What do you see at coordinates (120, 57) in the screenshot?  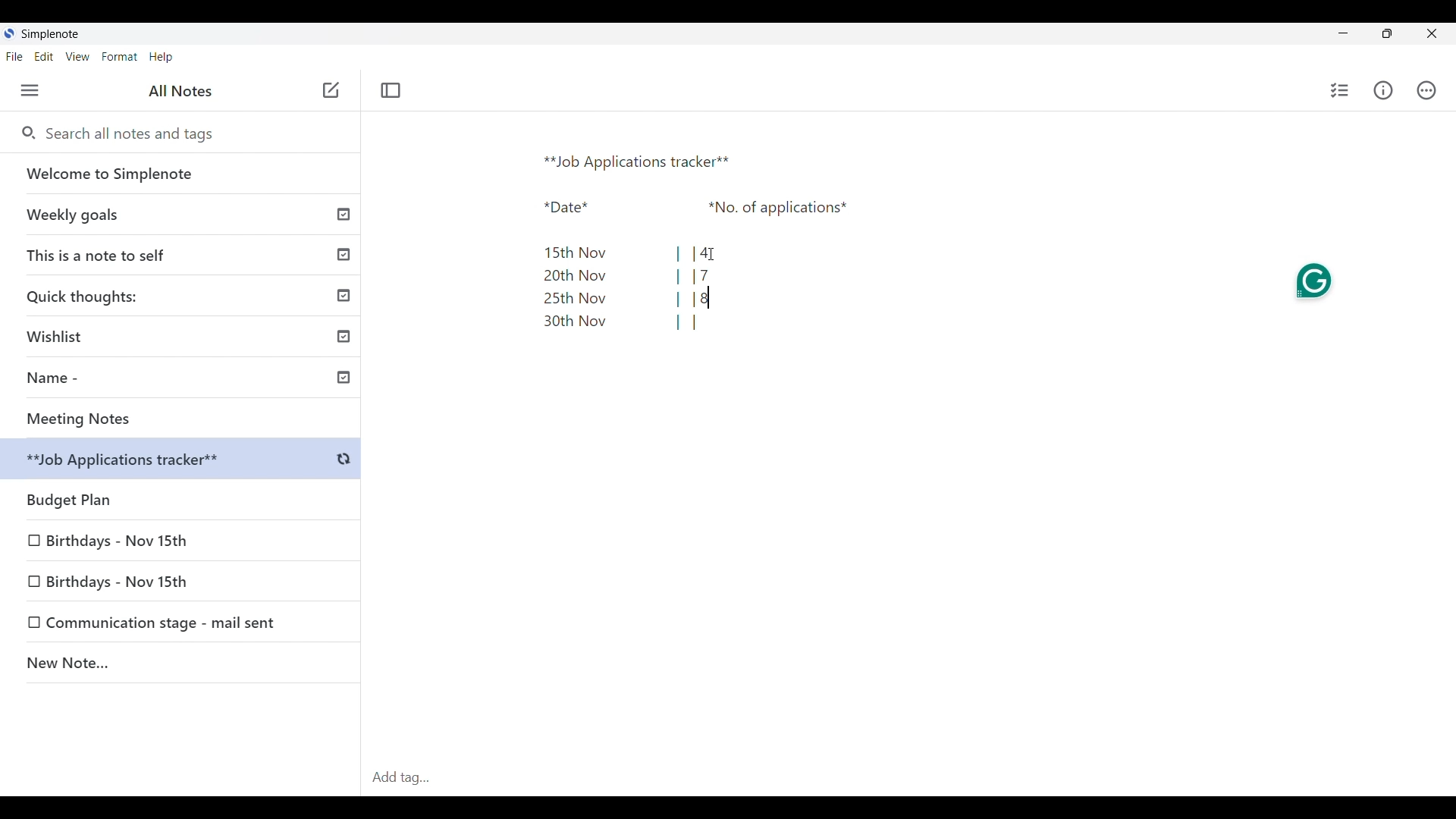 I see `Format` at bounding box center [120, 57].